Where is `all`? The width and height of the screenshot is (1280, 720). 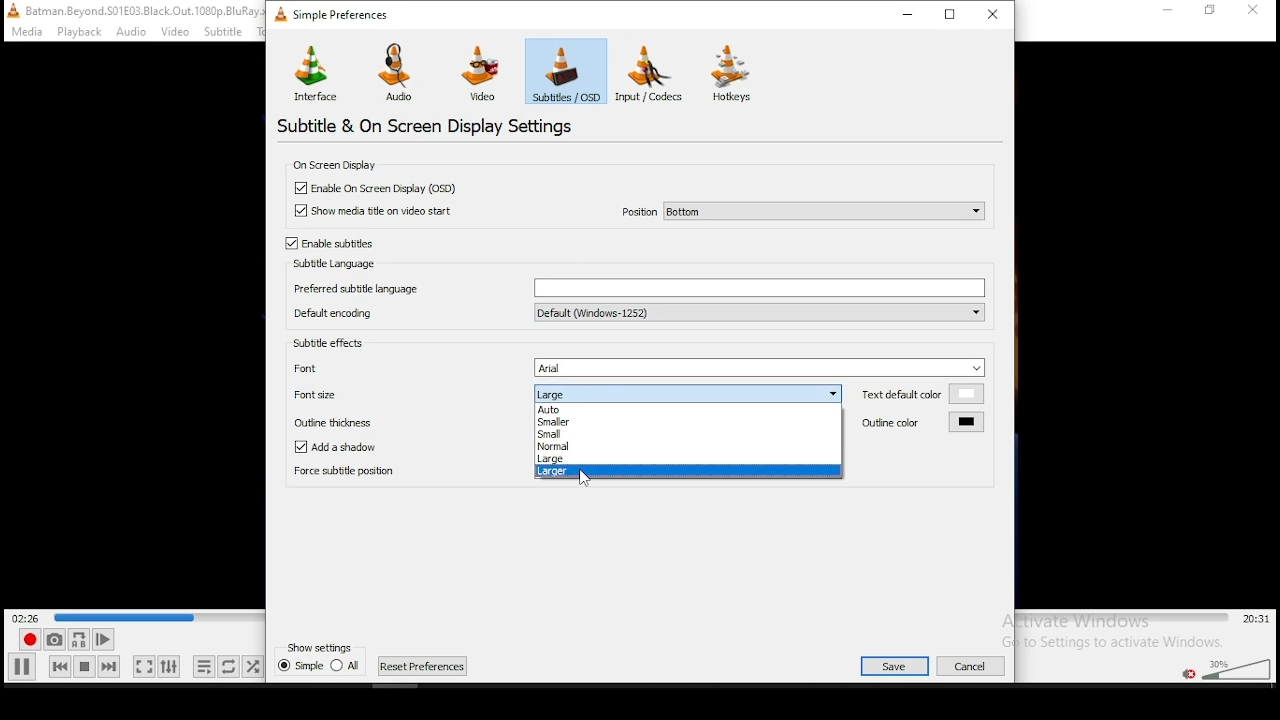
all is located at coordinates (345, 664).